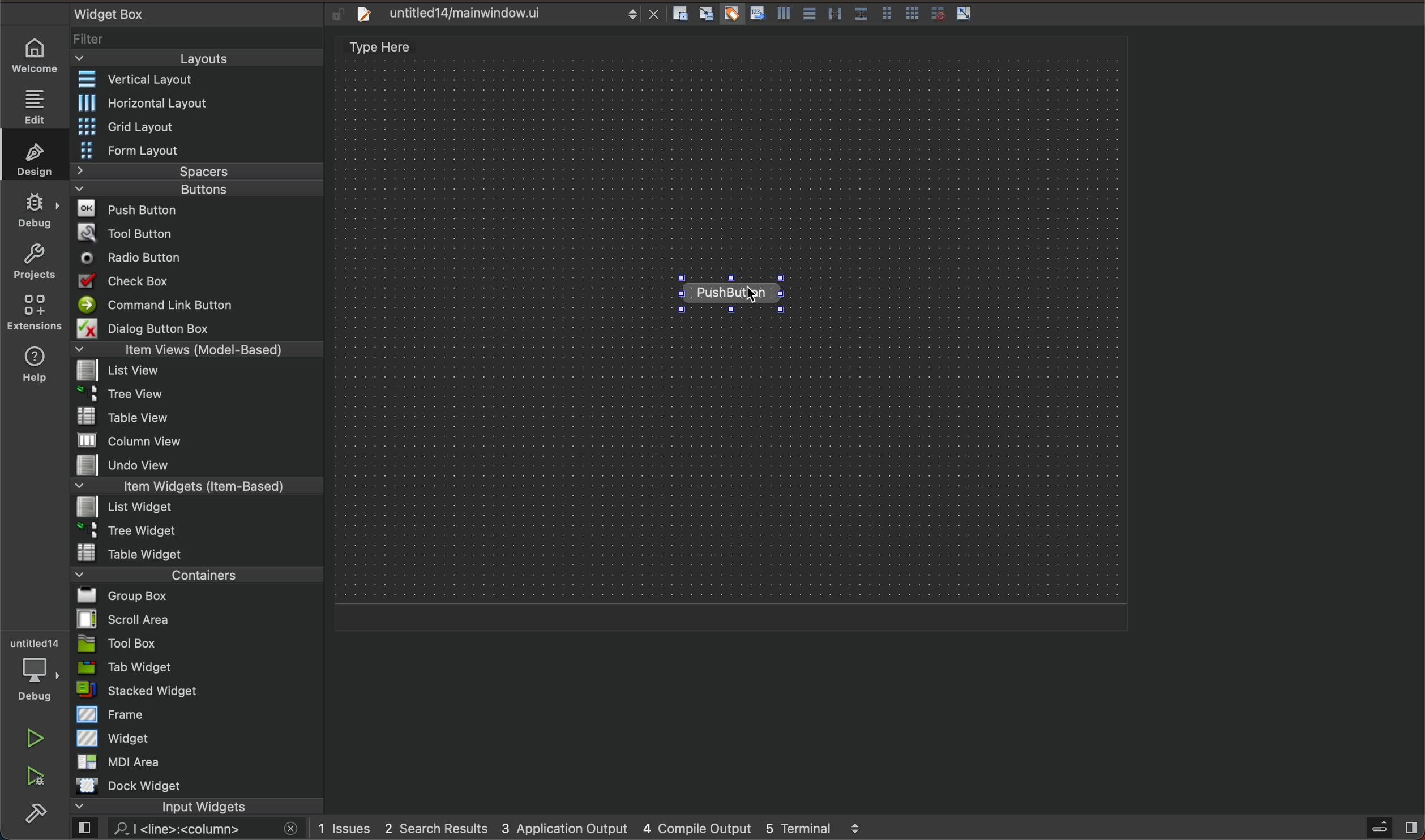  I want to click on vertical layout, so click(198, 82).